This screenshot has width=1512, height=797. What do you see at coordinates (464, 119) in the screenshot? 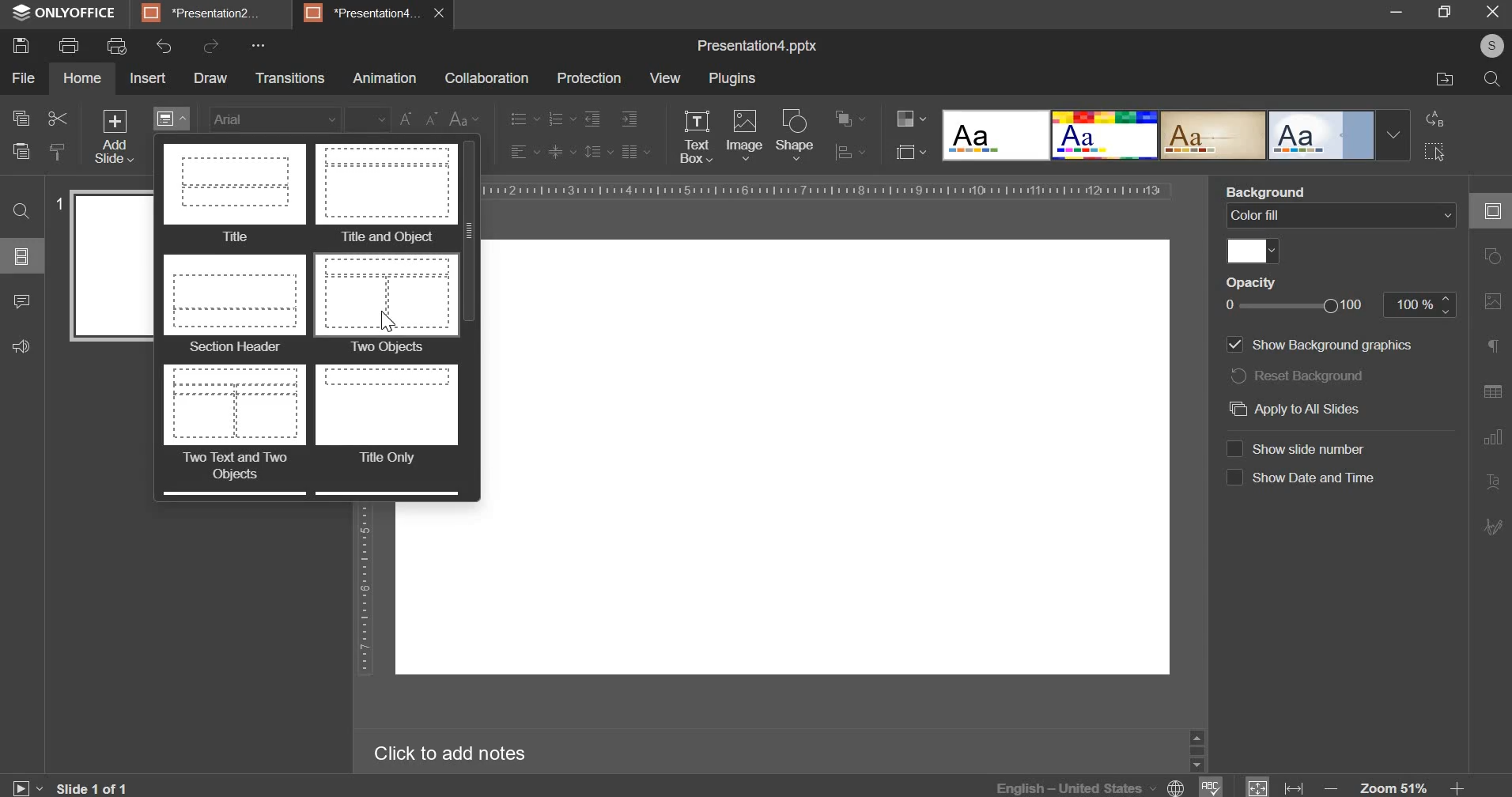
I see `change case` at bounding box center [464, 119].